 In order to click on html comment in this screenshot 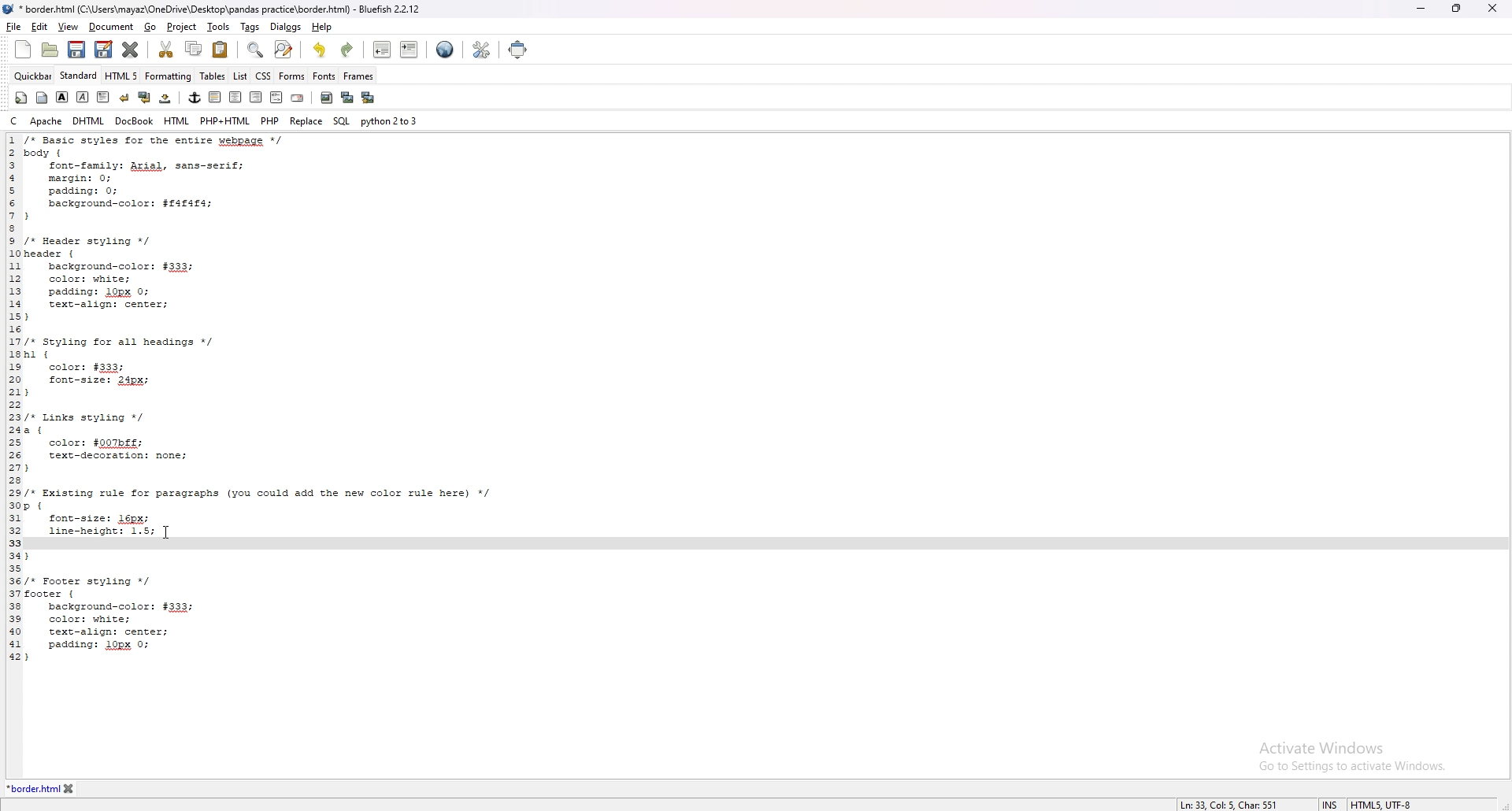, I will do `click(277, 97)`.